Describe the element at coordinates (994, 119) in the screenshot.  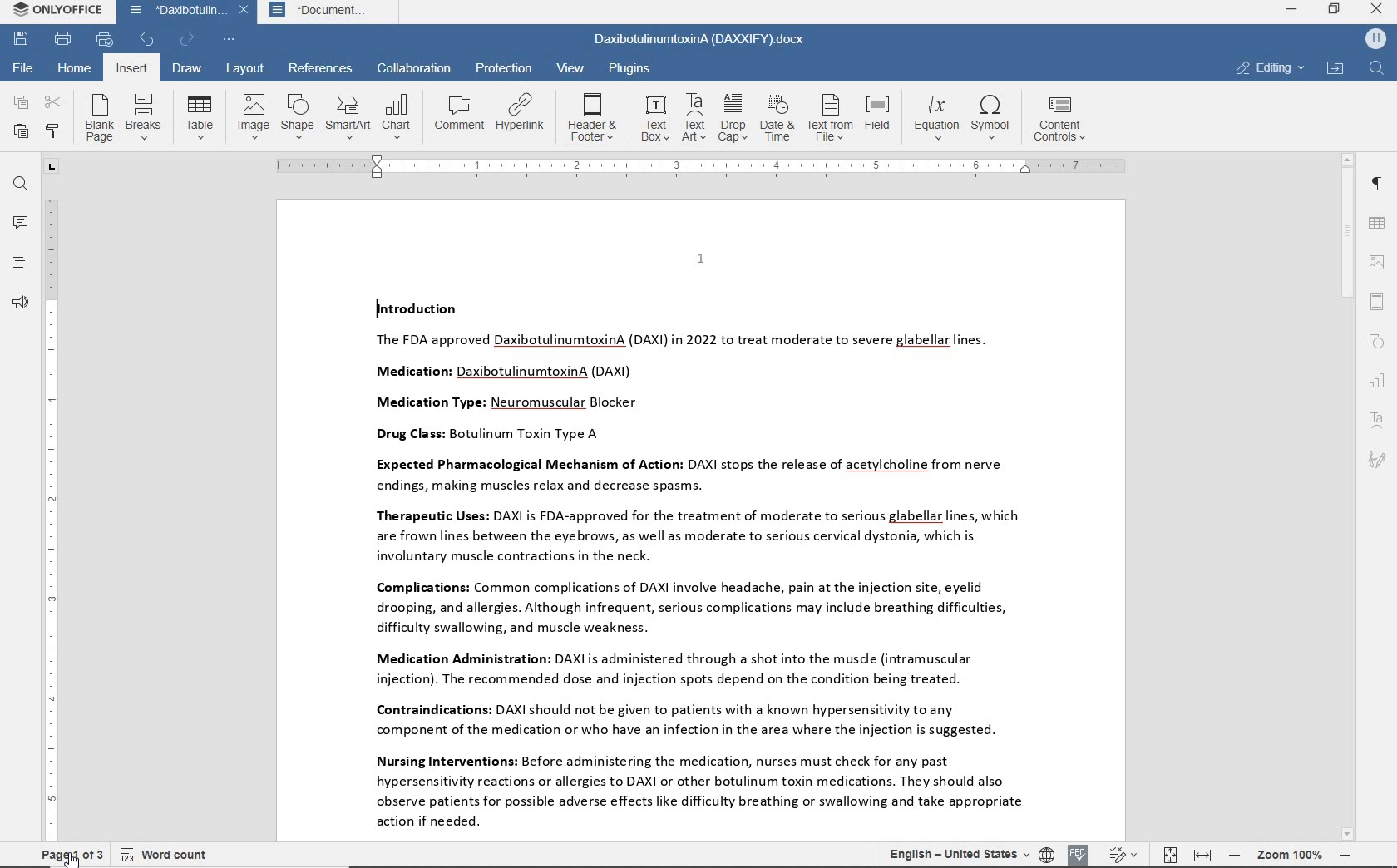
I see `symbol` at that location.